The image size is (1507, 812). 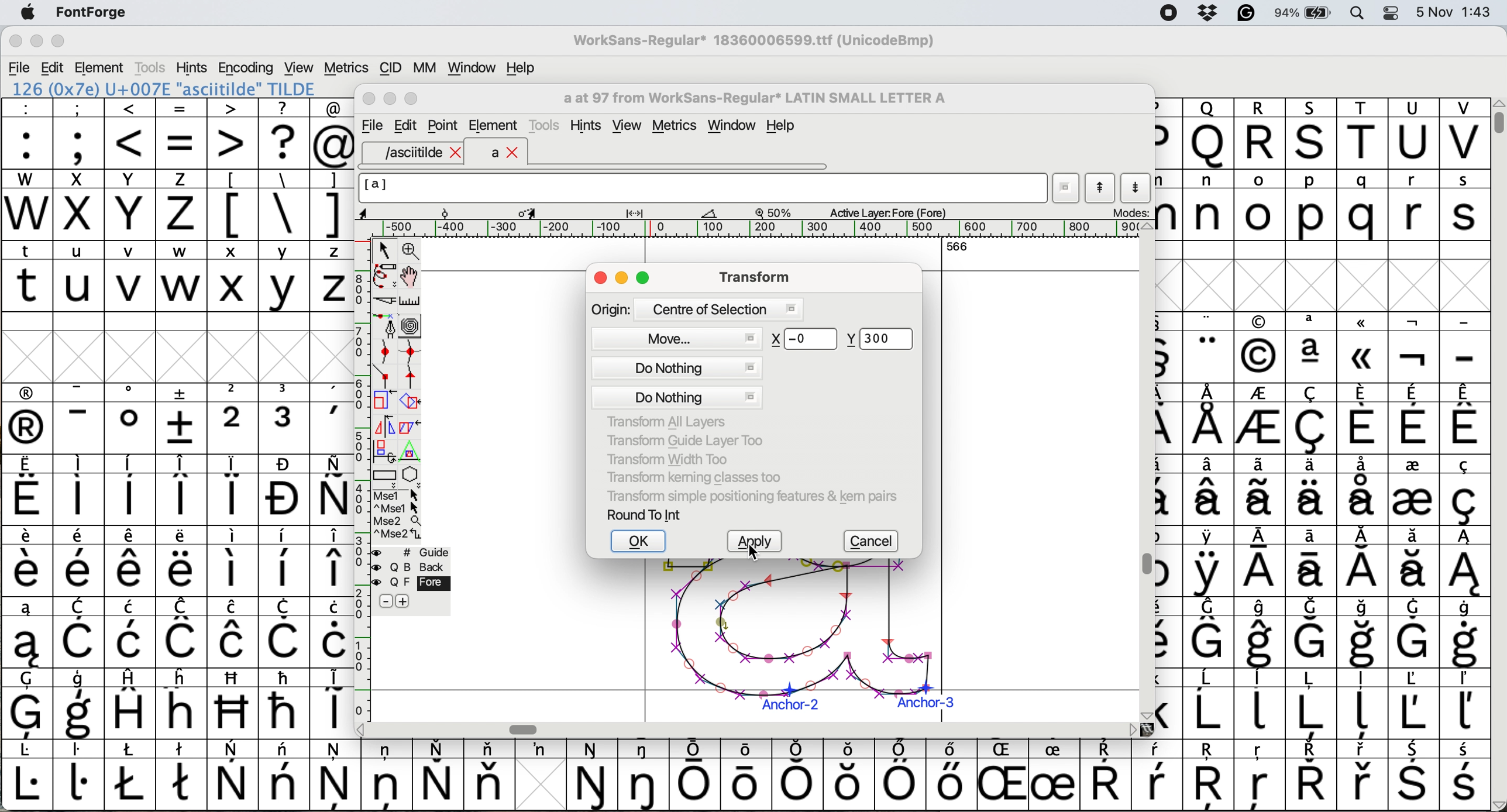 I want to click on metrics, so click(x=346, y=68).